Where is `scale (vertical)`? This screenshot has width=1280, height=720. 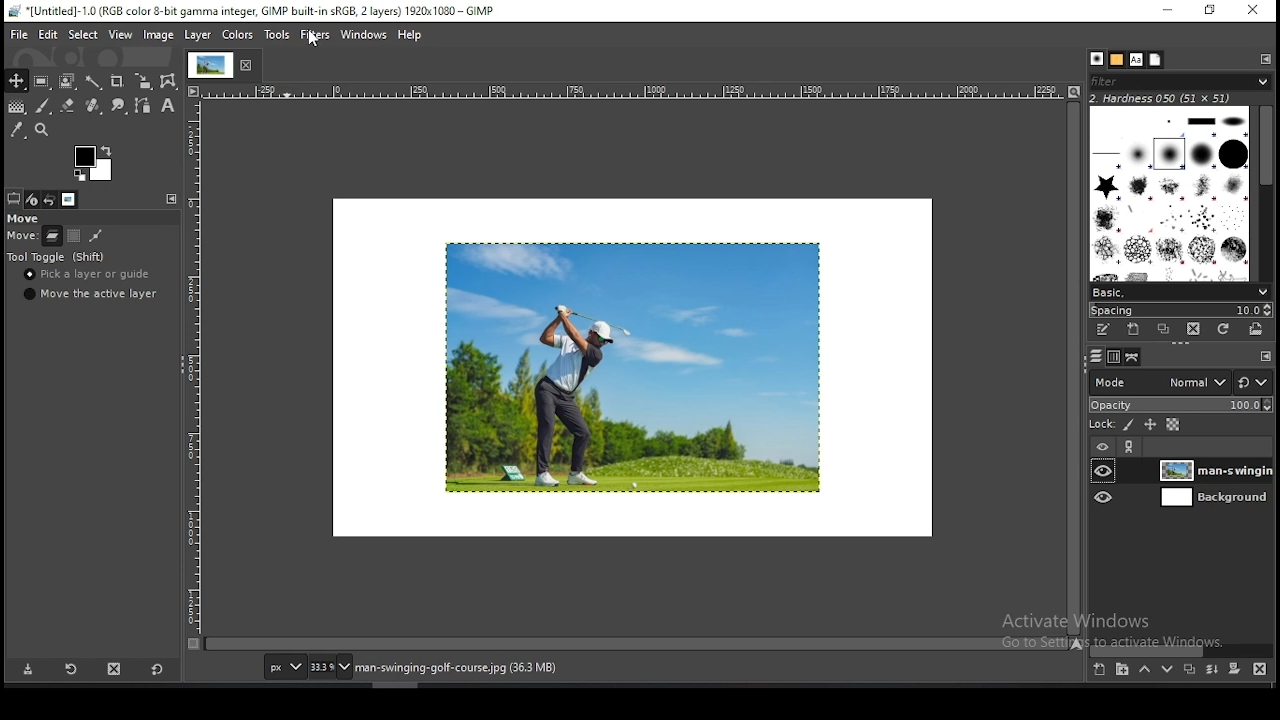 scale (vertical) is located at coordinates (195, 367).